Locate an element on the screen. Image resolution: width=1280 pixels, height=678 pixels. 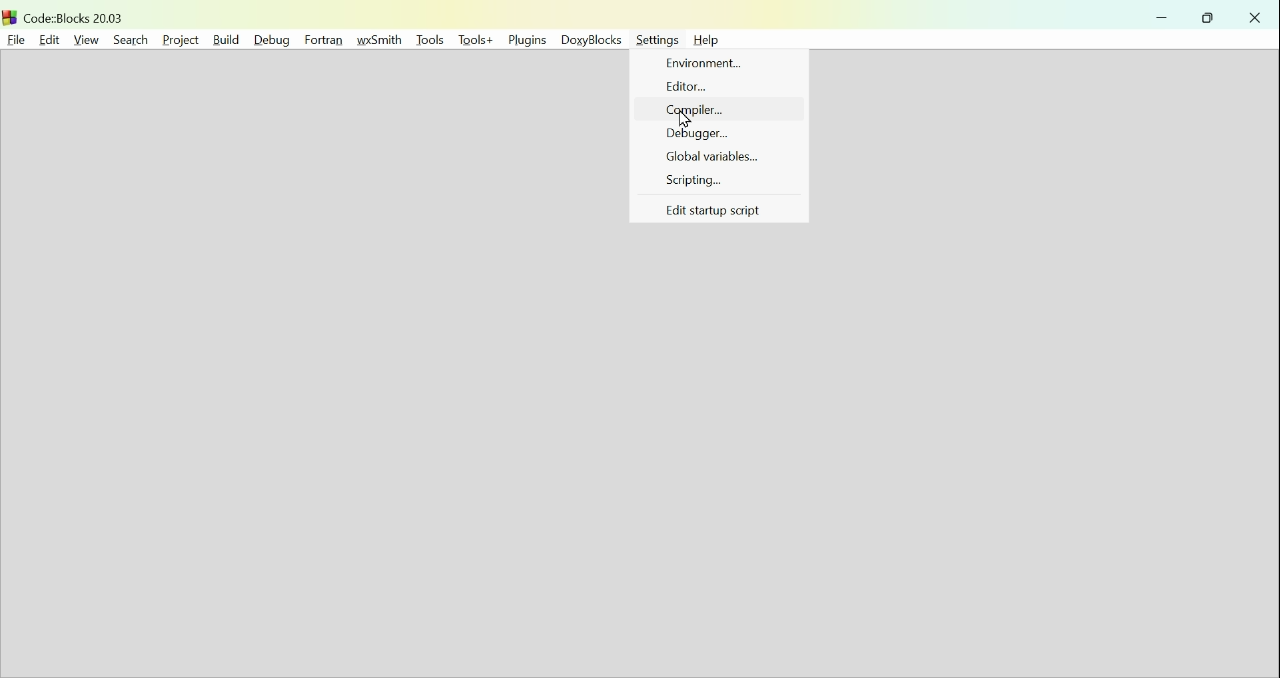
close is located at coordinates (1255, 17).